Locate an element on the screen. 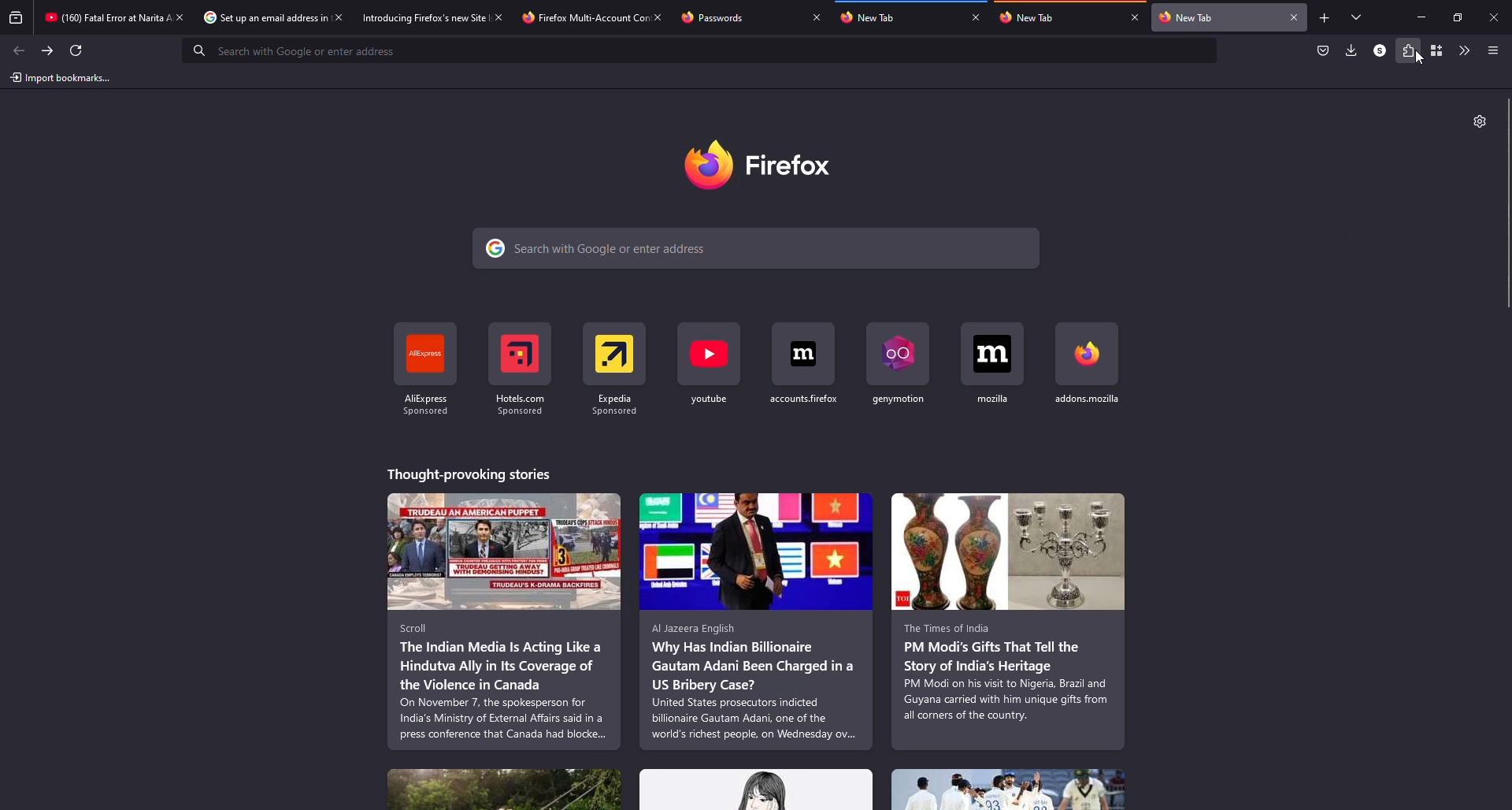 The height and width of the screenshot is (810, 1512). close is located at coordinates (1136, 17).